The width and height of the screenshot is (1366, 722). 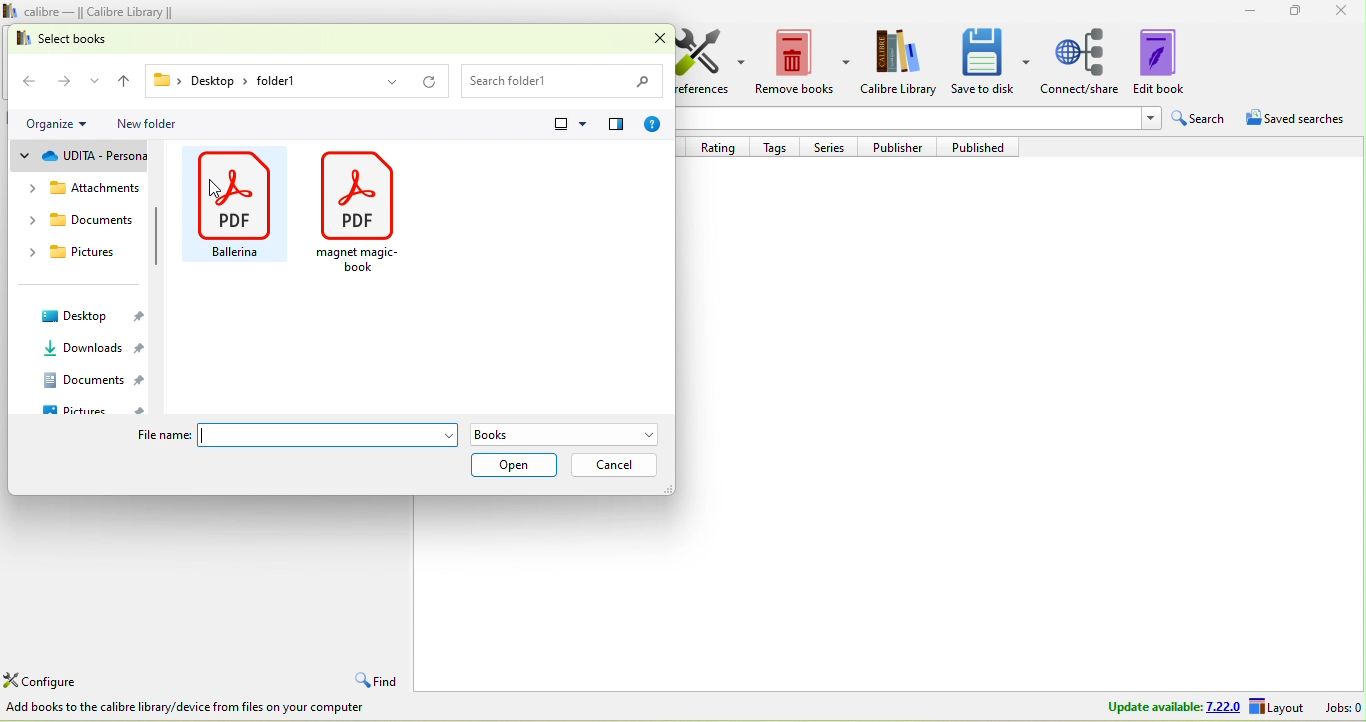 I want to click on file name, so click(x=165, y=438).